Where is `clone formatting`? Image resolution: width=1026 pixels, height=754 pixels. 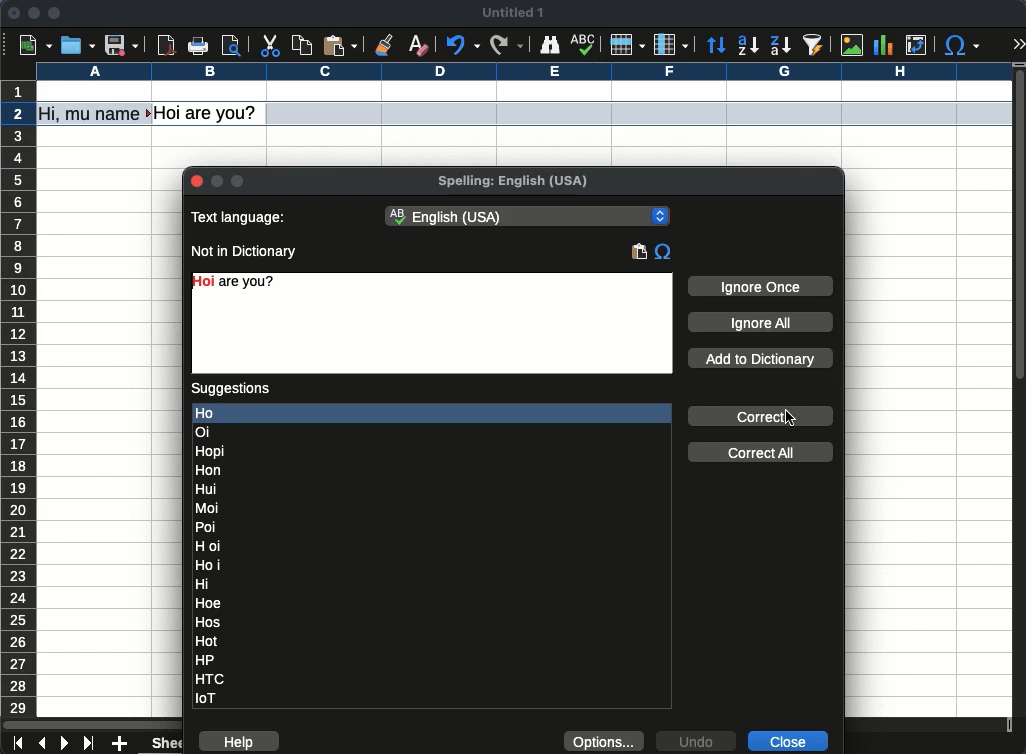 clone formatting is located at coordinates (382, 43).